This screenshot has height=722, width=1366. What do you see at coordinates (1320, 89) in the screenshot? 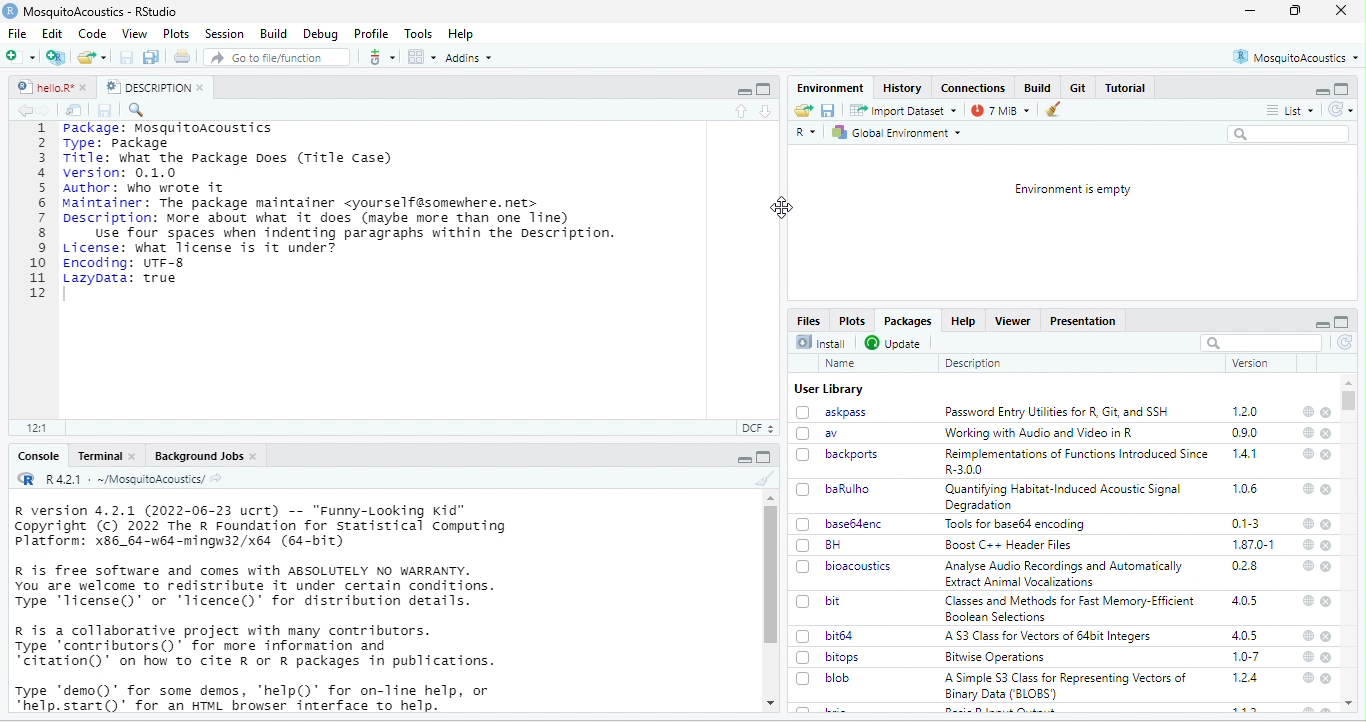
I see `minimize` at bounding box center [1320, 89].